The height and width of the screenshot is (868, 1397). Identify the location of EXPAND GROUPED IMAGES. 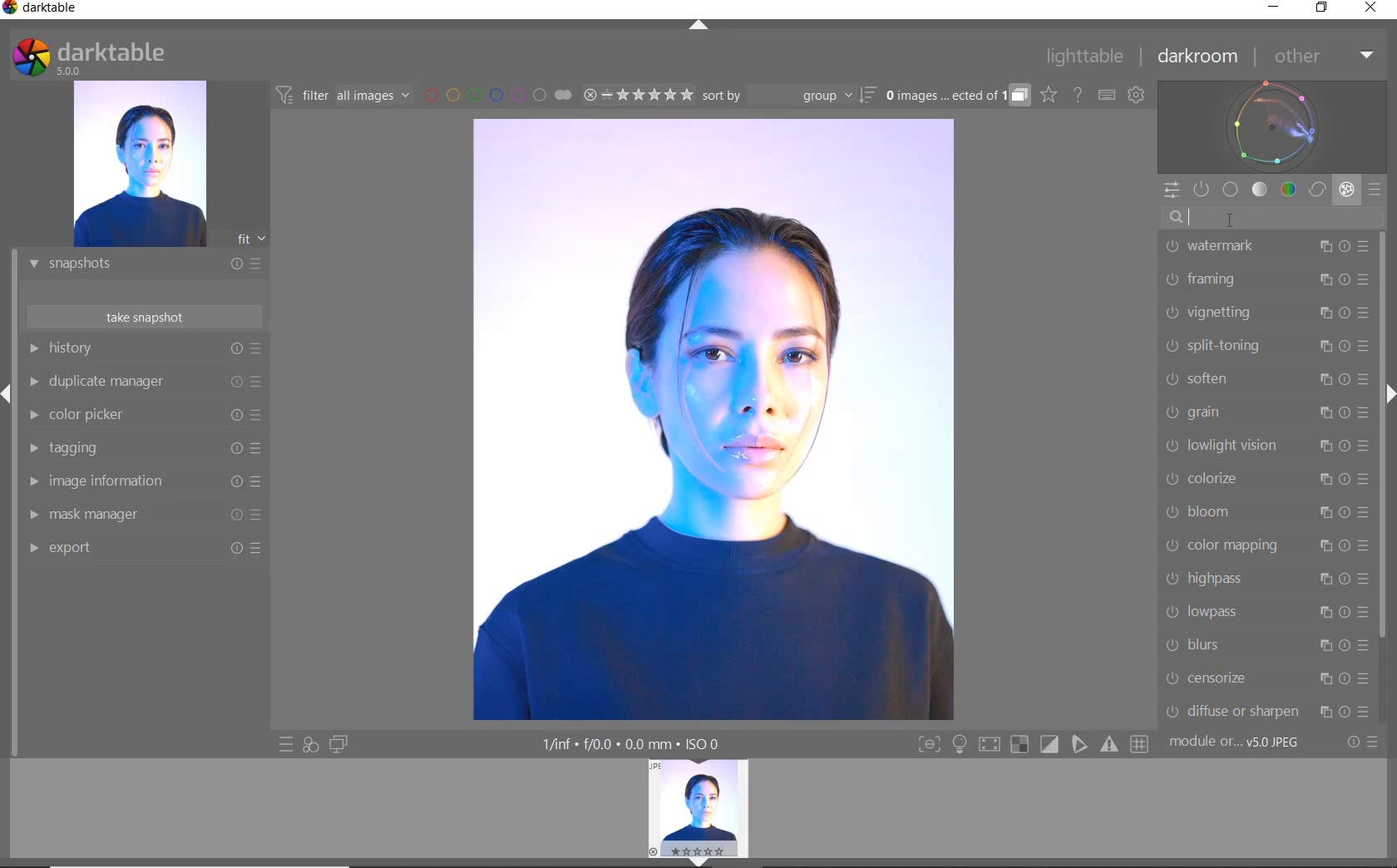
(957, 96).